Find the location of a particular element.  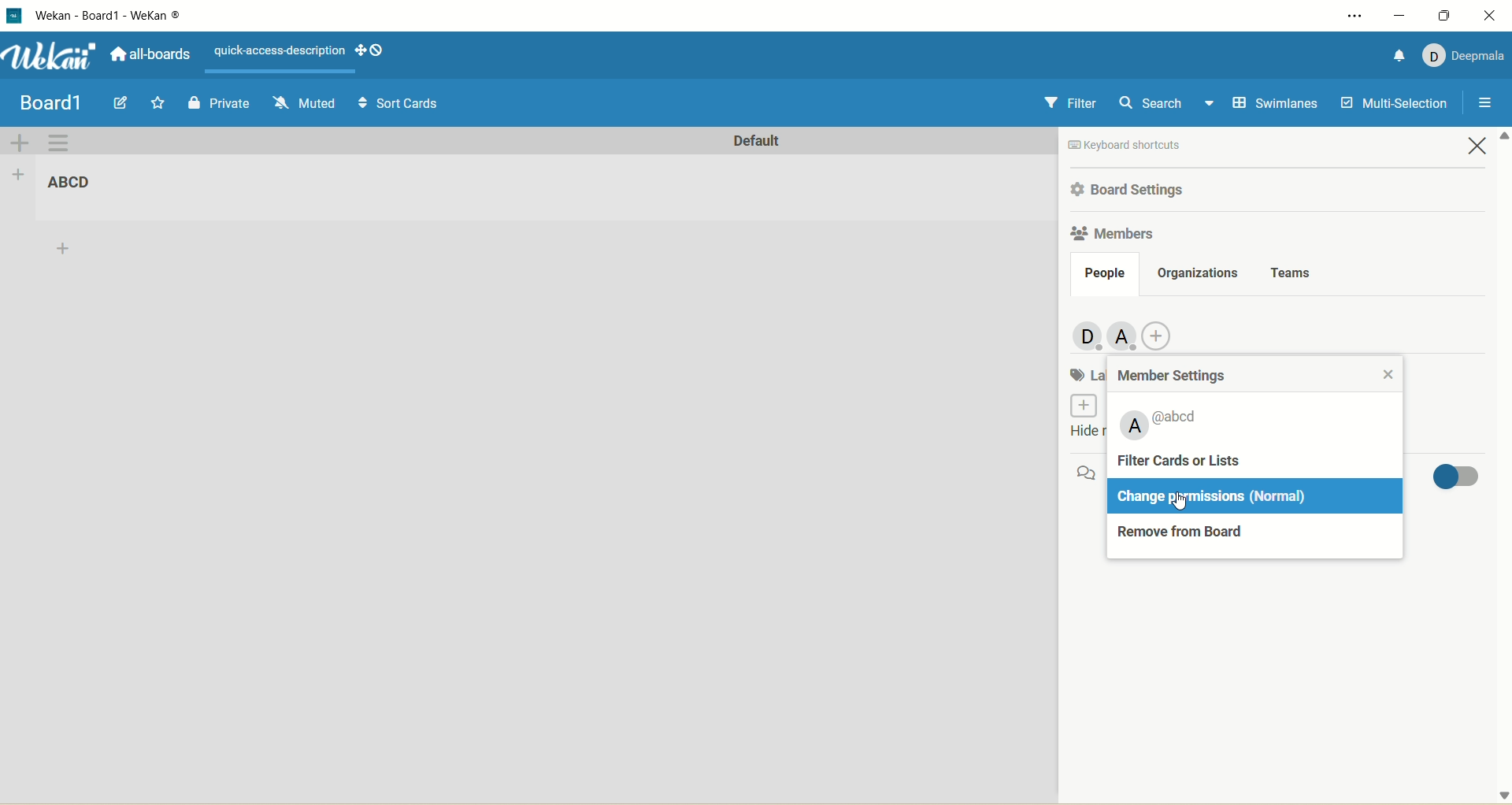

board settings is located at coordinates (1133, 189).